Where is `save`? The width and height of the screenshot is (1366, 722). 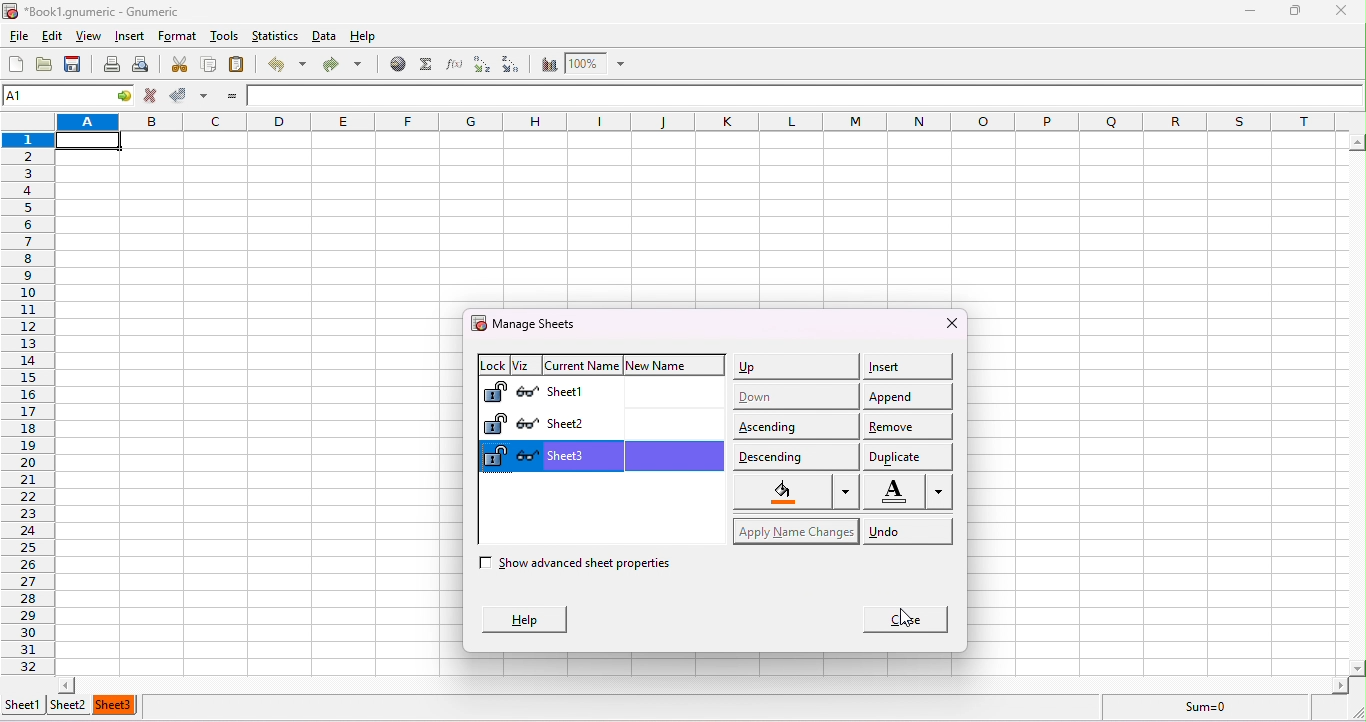
save is located at coordinates (76, 65).